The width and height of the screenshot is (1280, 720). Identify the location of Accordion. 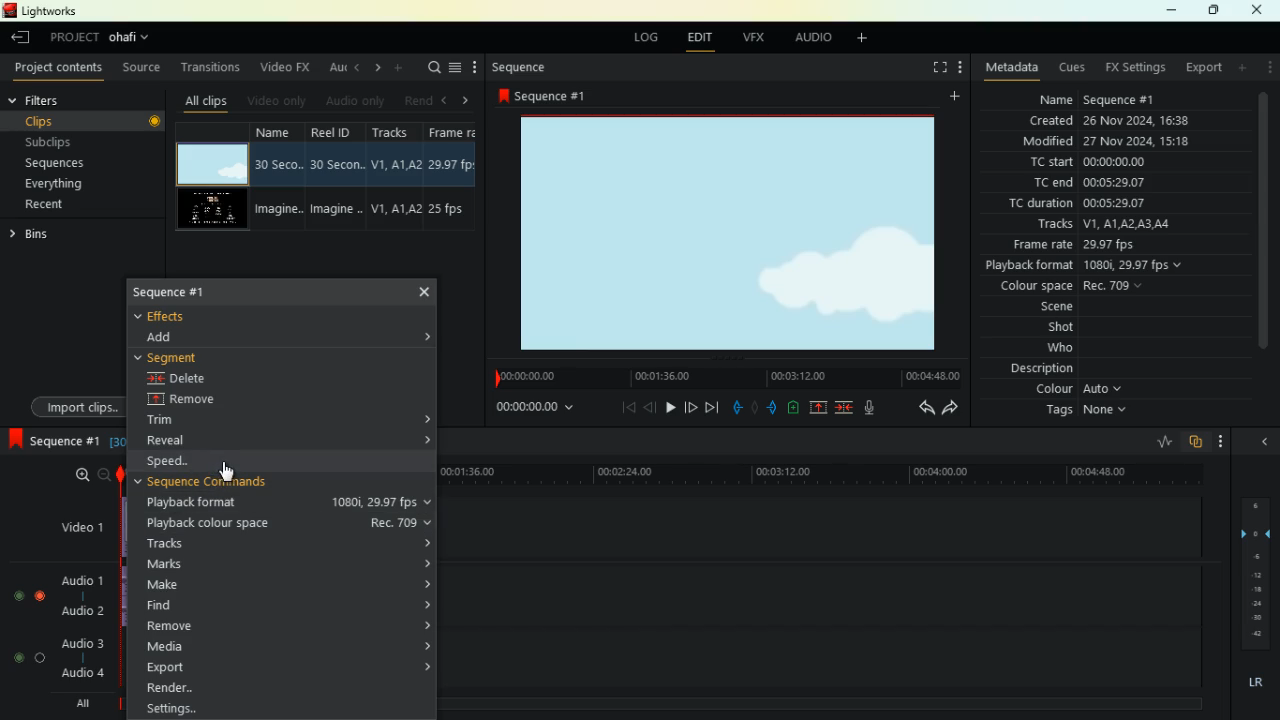
(423, 418).